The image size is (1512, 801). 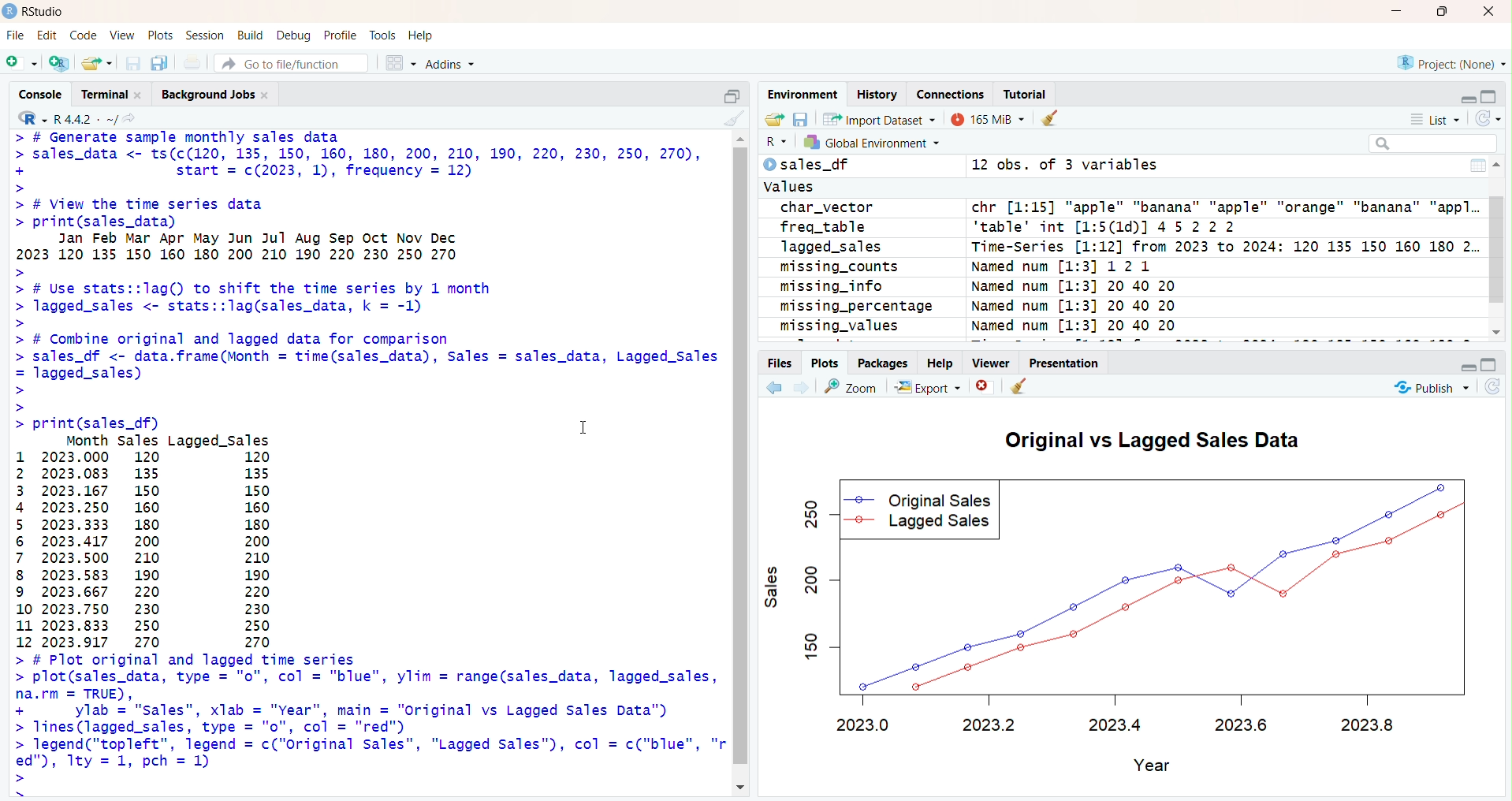 What do you see at coordinates (341, 35) in the screenshot?
I see `profile` at bounding box center [341, 35].